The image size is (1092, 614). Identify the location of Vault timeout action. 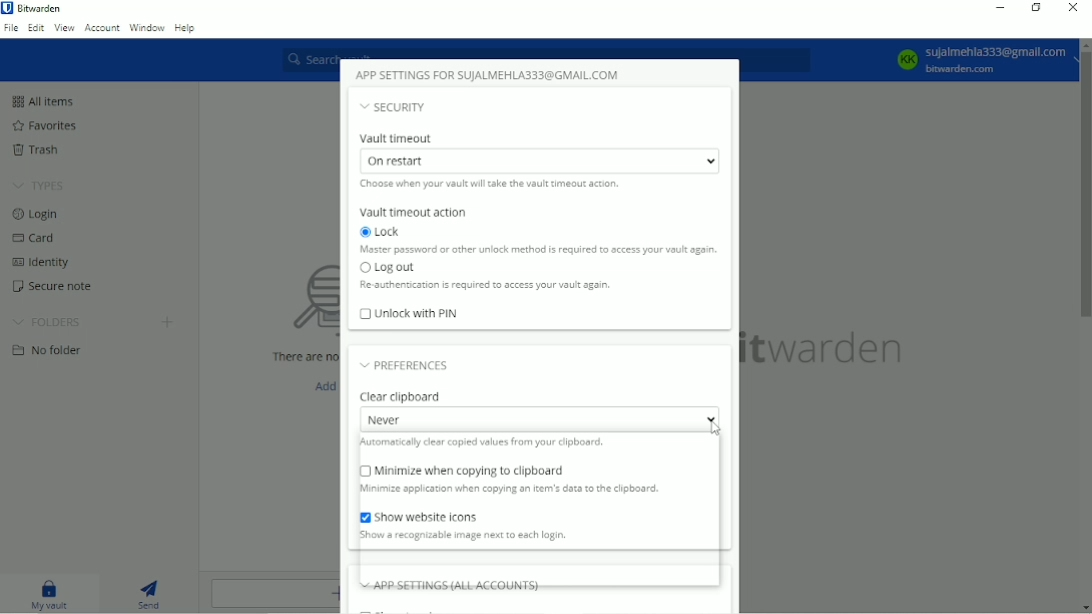
(417, 213).